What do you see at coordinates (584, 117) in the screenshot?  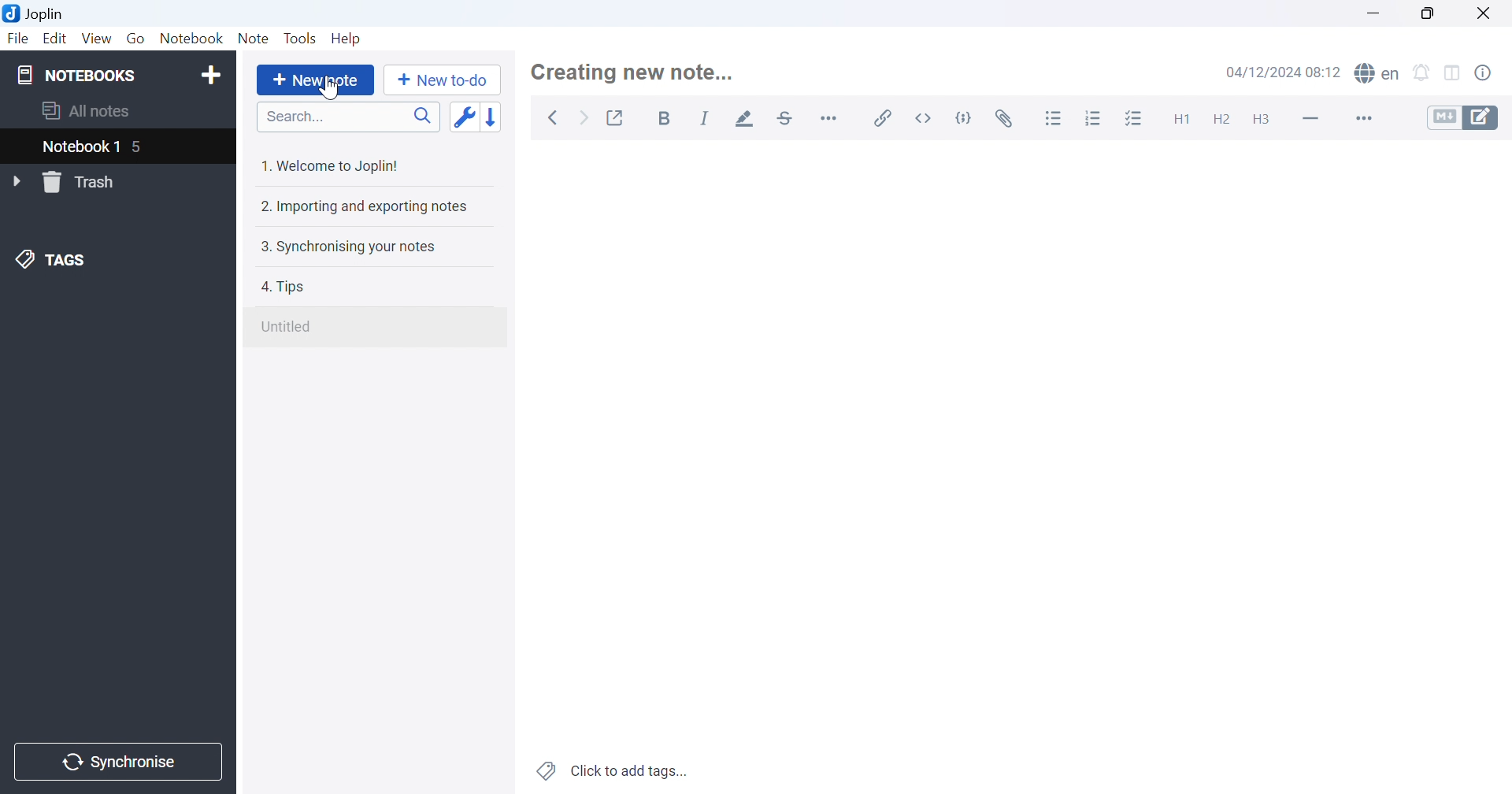 I see `Forward` at bounding box center [584, 117].